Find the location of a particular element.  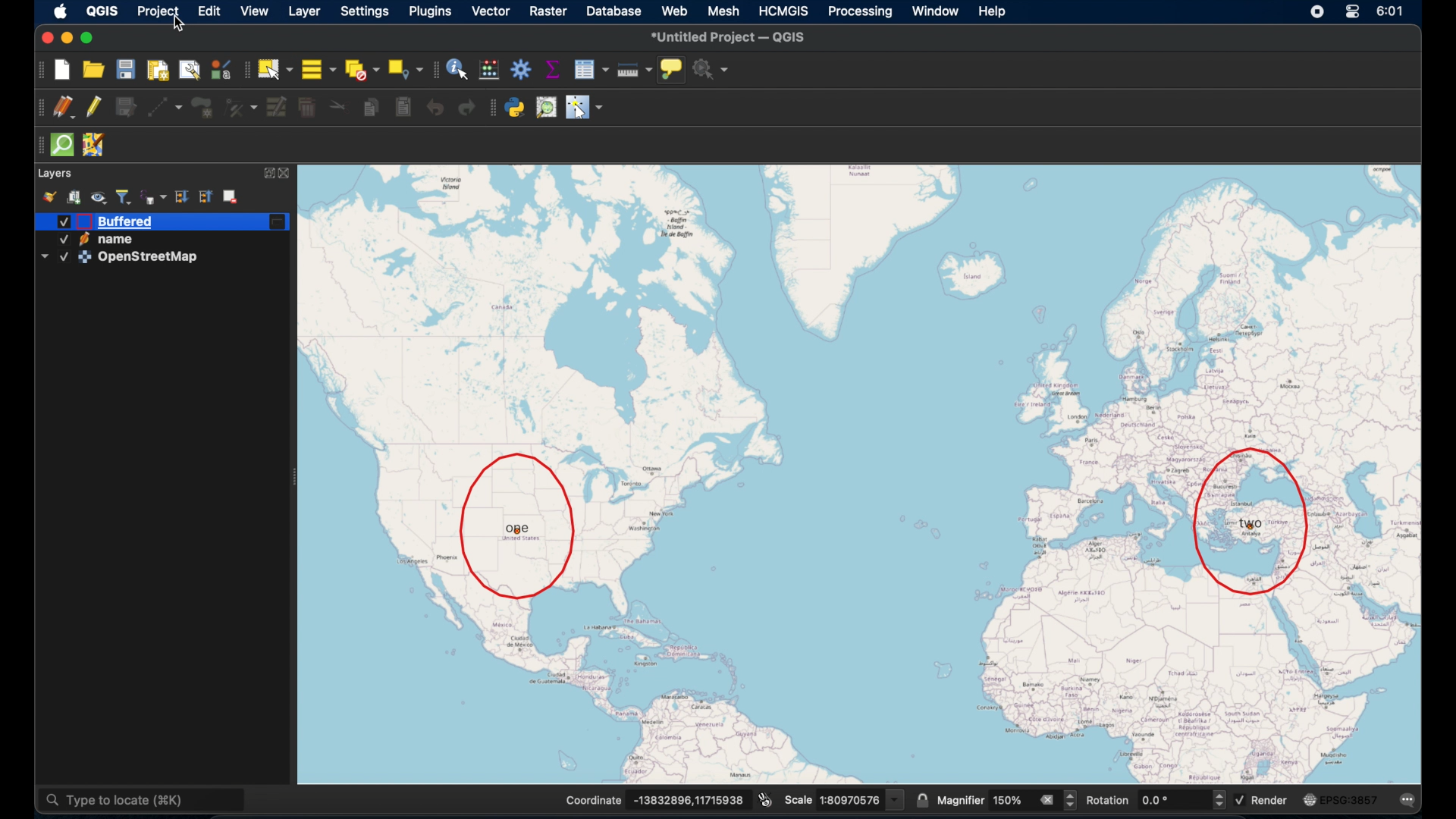

toggle extents and position mouse display is located at coordinates (764, 797).